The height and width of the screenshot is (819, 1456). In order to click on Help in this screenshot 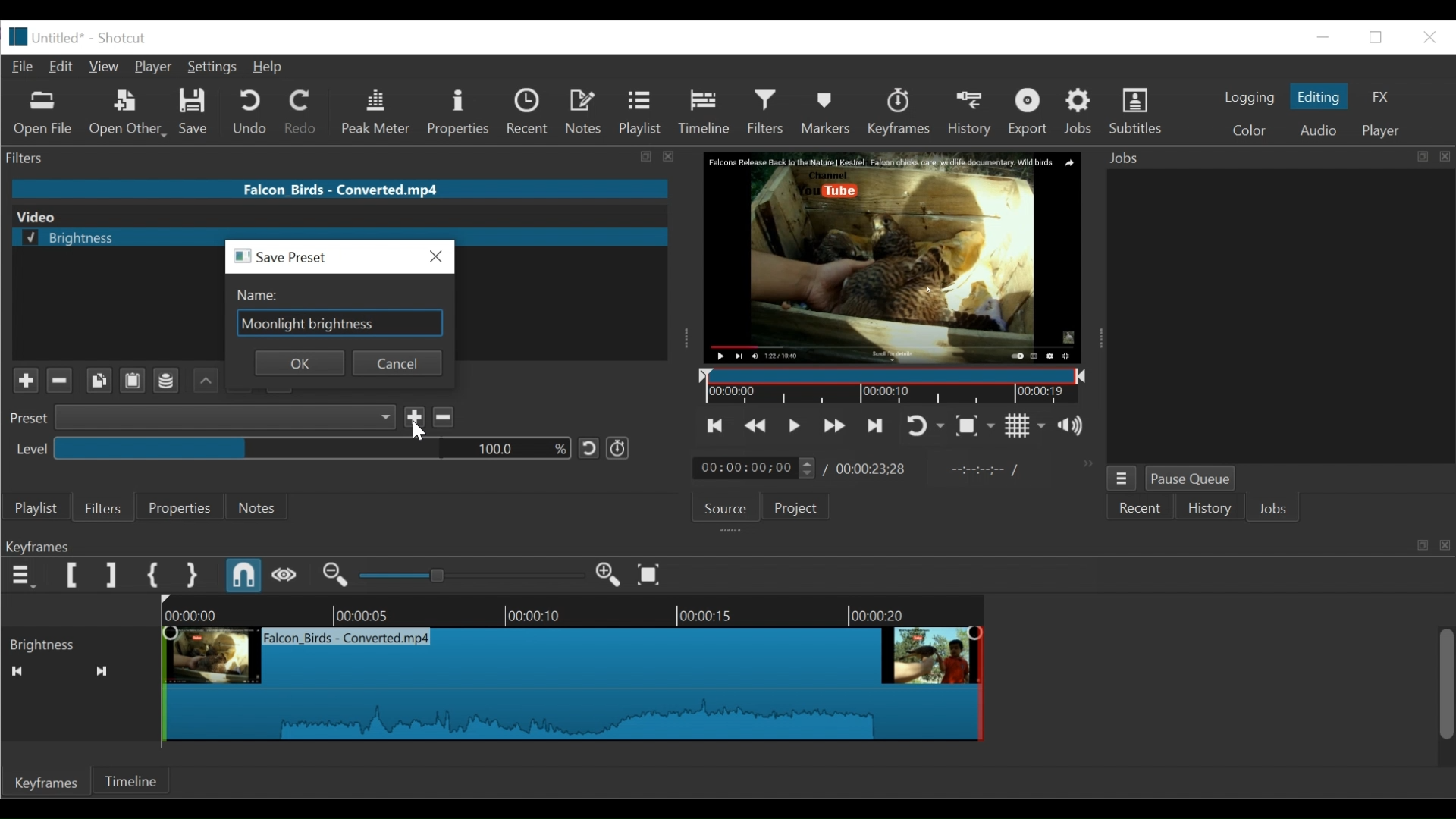, I will do `click(272, 67)`.